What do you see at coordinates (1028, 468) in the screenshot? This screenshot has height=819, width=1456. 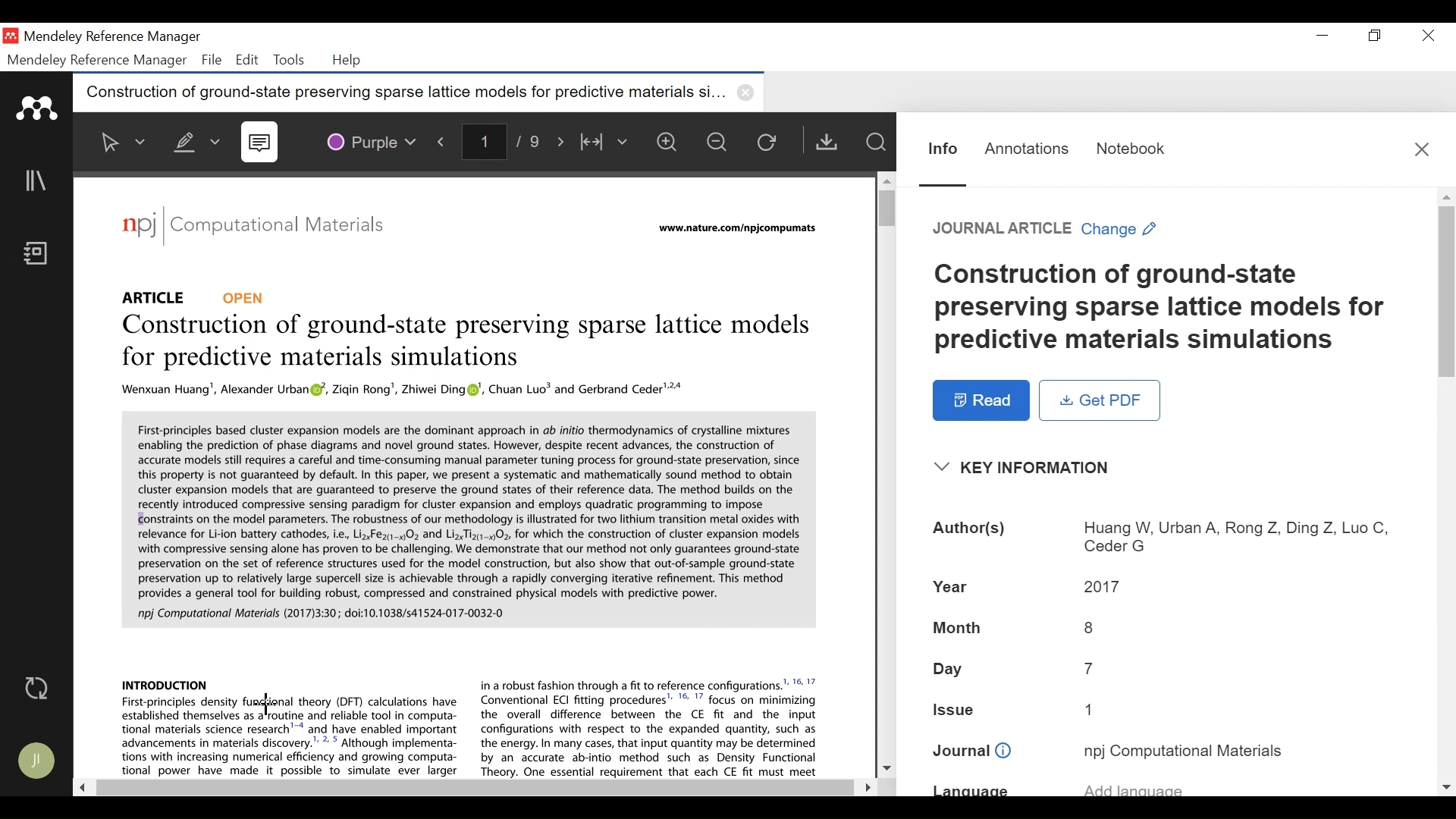 I see `Show/Hide Key Information` at bounding box center [1028, 468].